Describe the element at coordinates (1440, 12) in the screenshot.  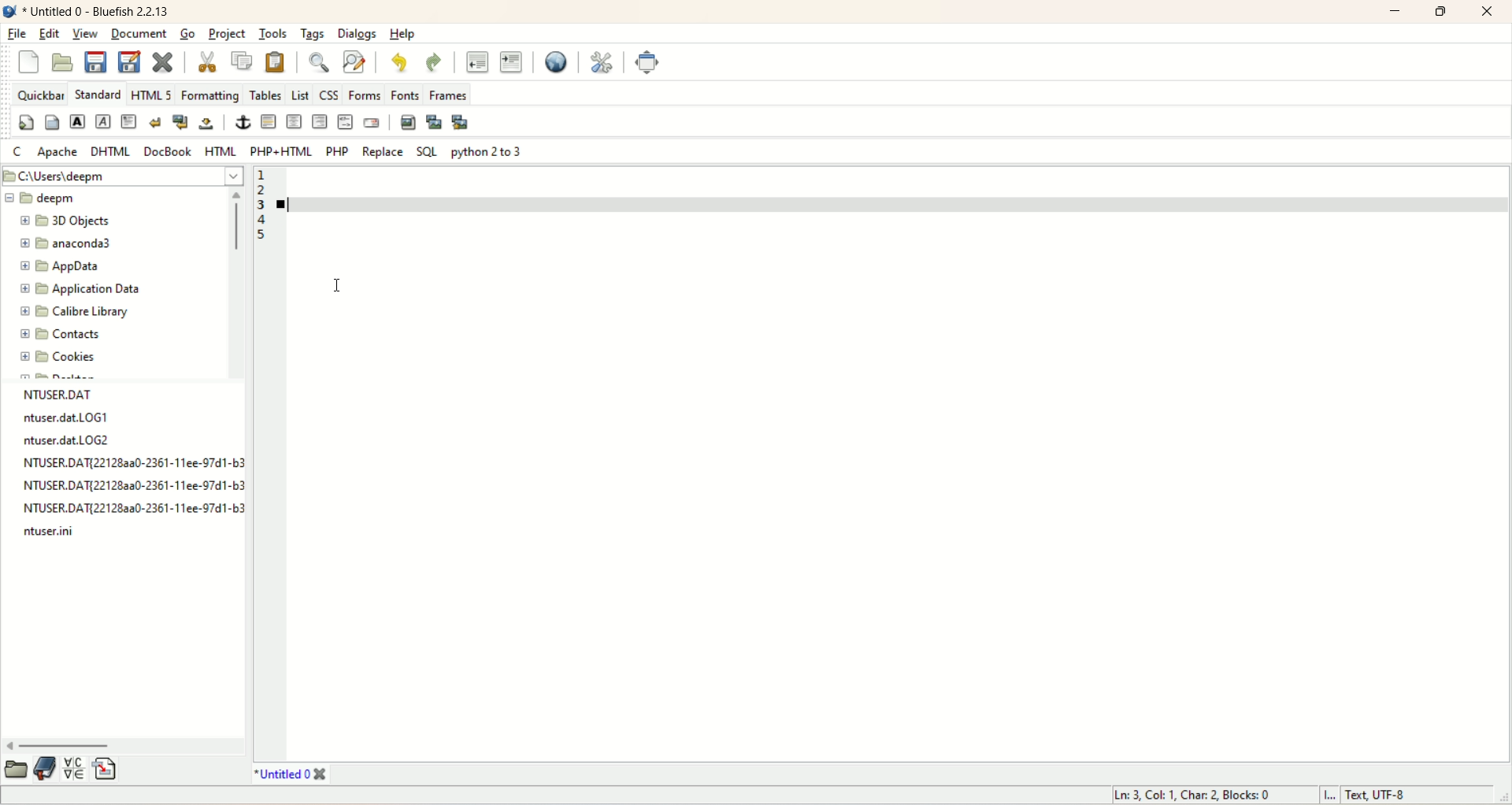
I see `maximize` at that location.